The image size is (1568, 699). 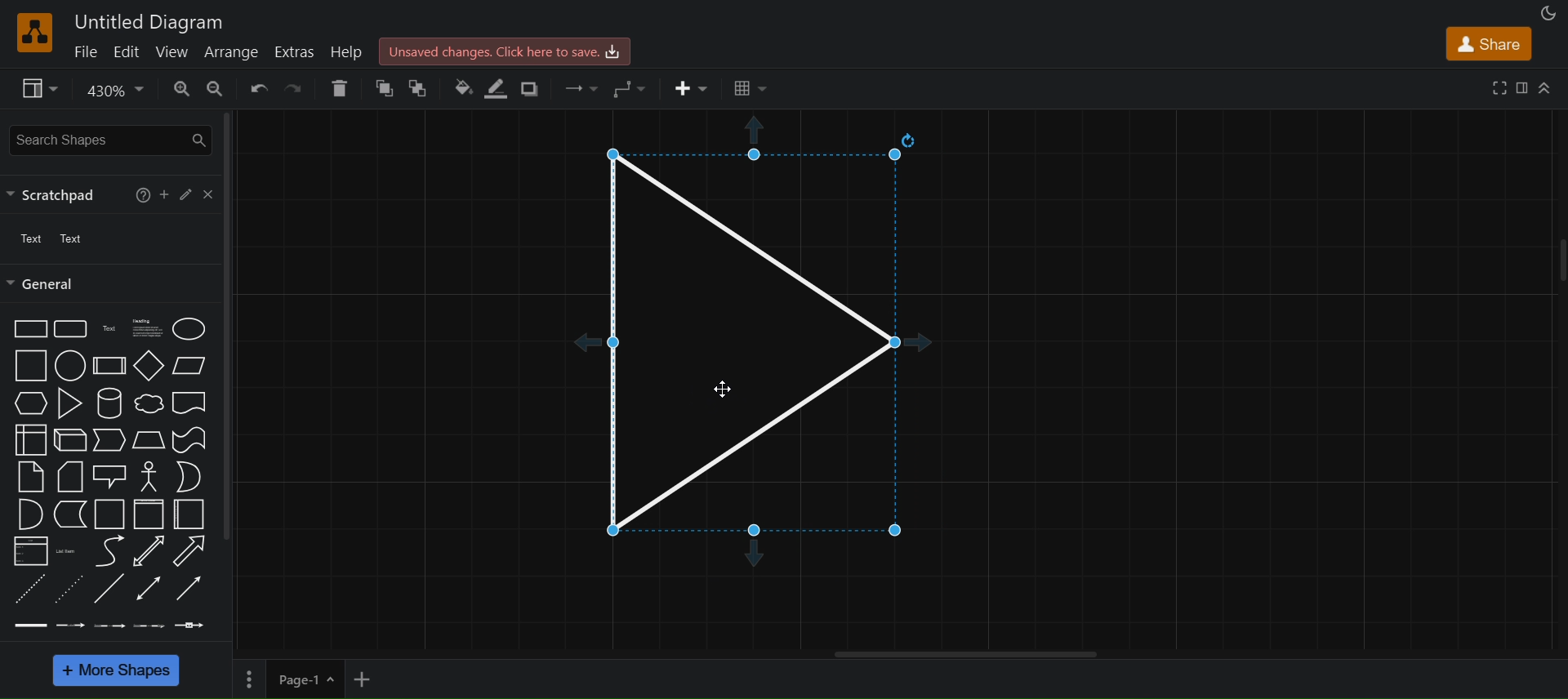 What do you see at coordinates (296, 50) in the screenshot?
I see `extras` at bounding box center [296, 50].